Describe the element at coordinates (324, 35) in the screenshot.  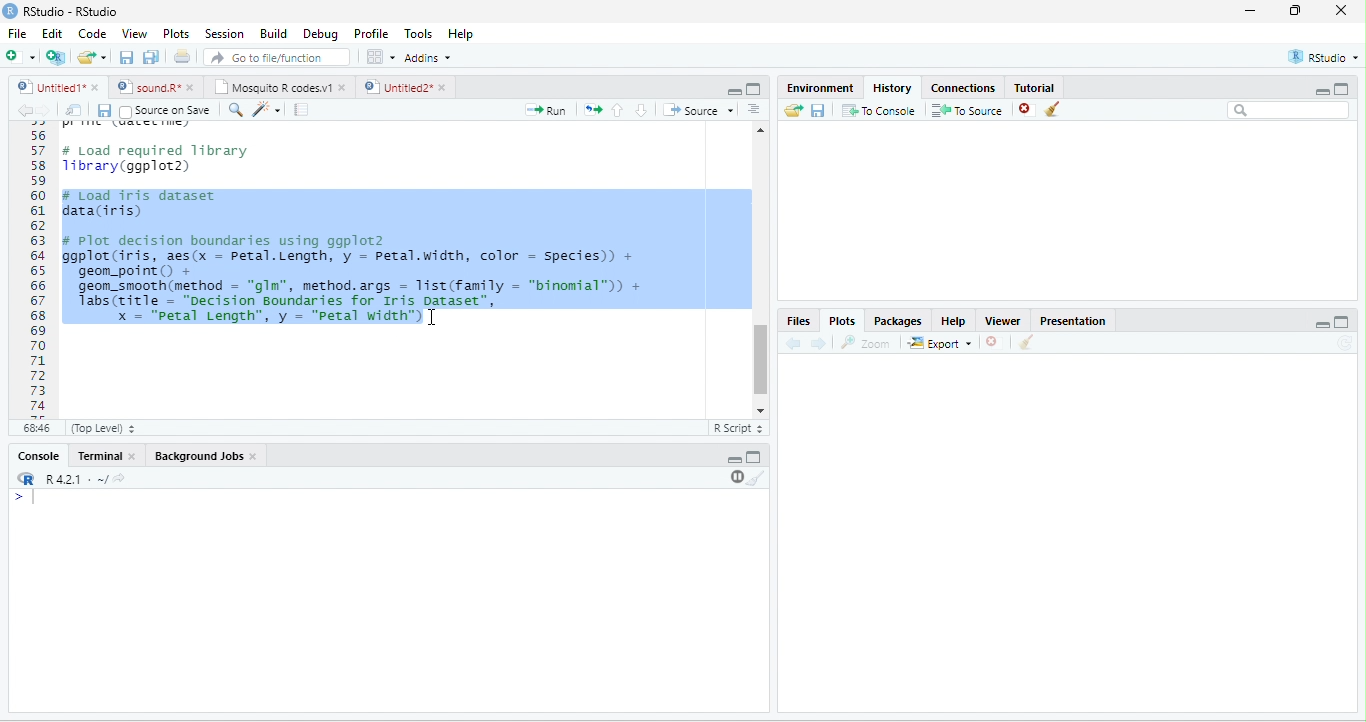
I see `Debug` at that location.